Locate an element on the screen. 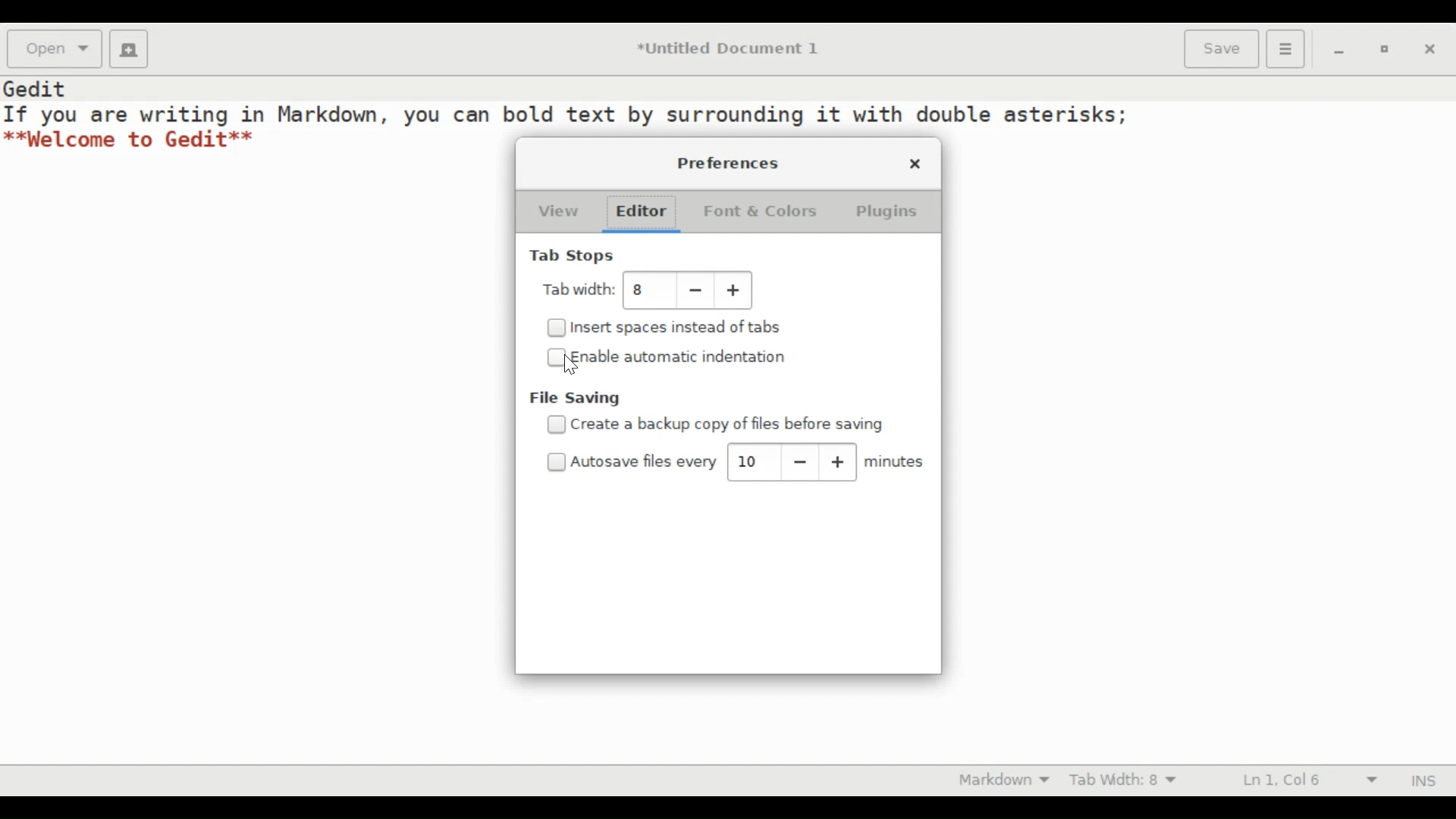 This screenshot has width=1456, height=819. Enable automatic indentation is located at coordinates (680, 357).